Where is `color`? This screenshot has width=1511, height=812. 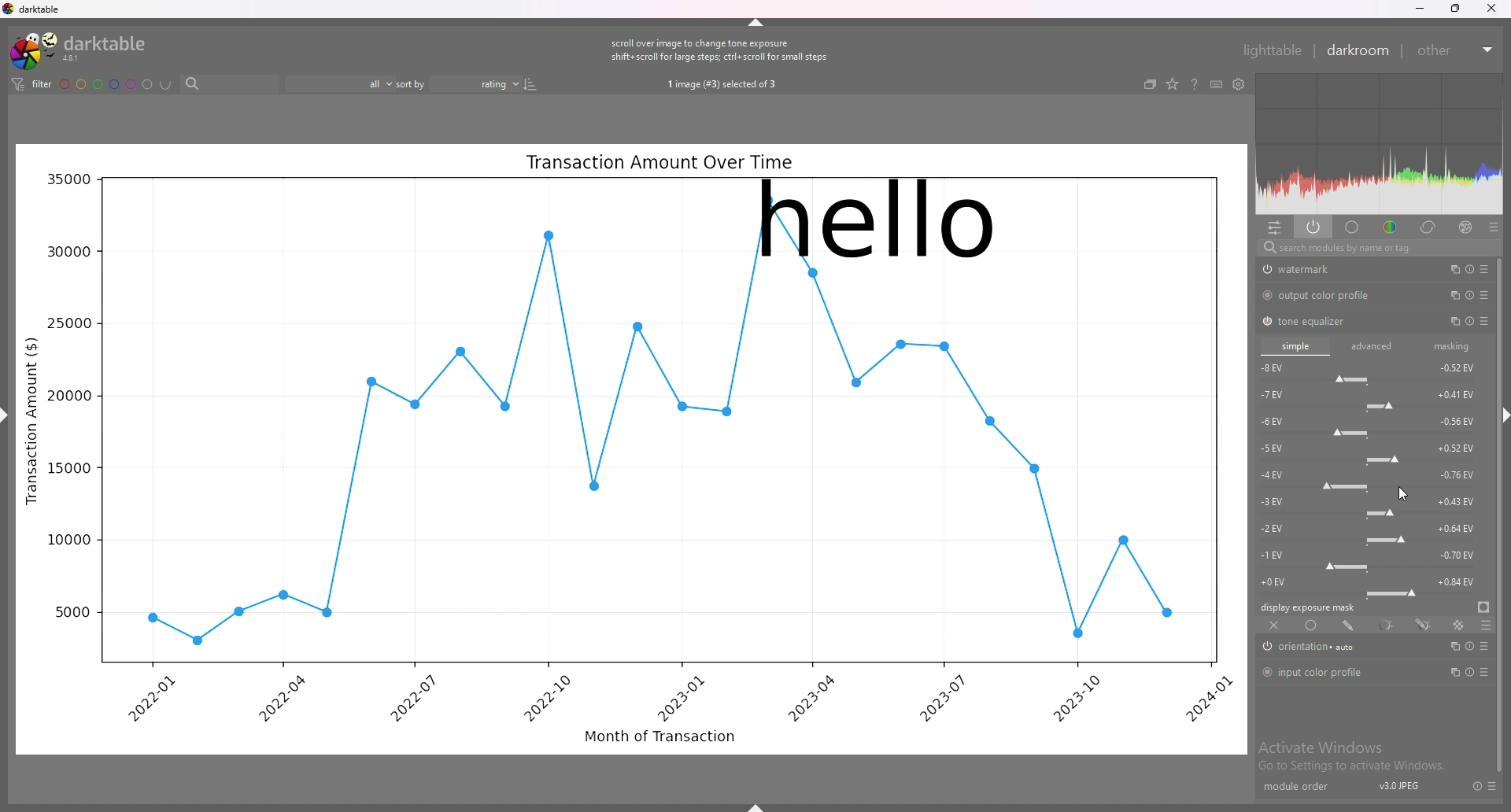 color is located at coordinates (1391, 227).